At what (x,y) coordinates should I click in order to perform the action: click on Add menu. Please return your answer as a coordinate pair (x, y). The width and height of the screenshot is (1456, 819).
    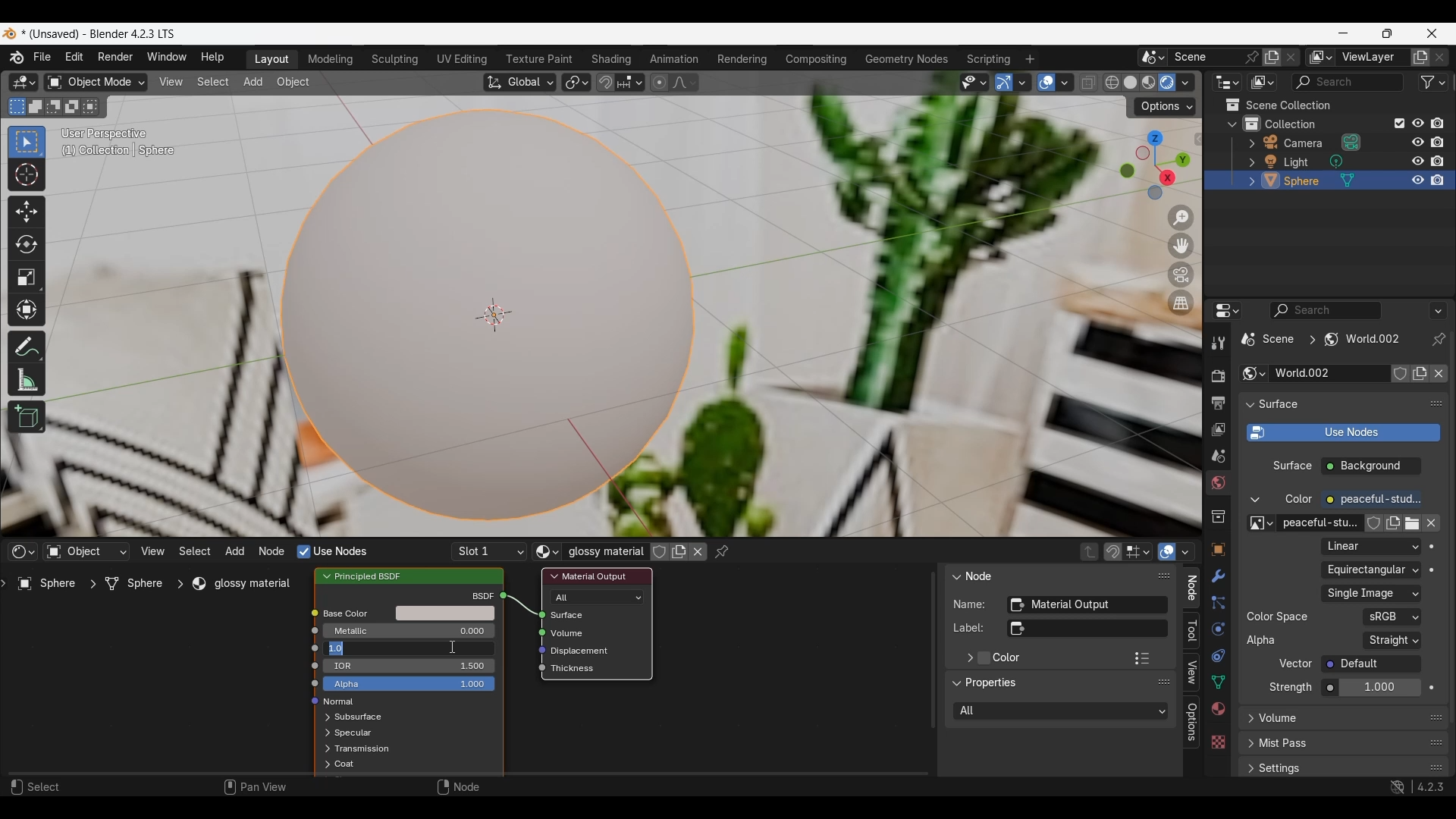
    Looking at the image, I should click on (254, 83).